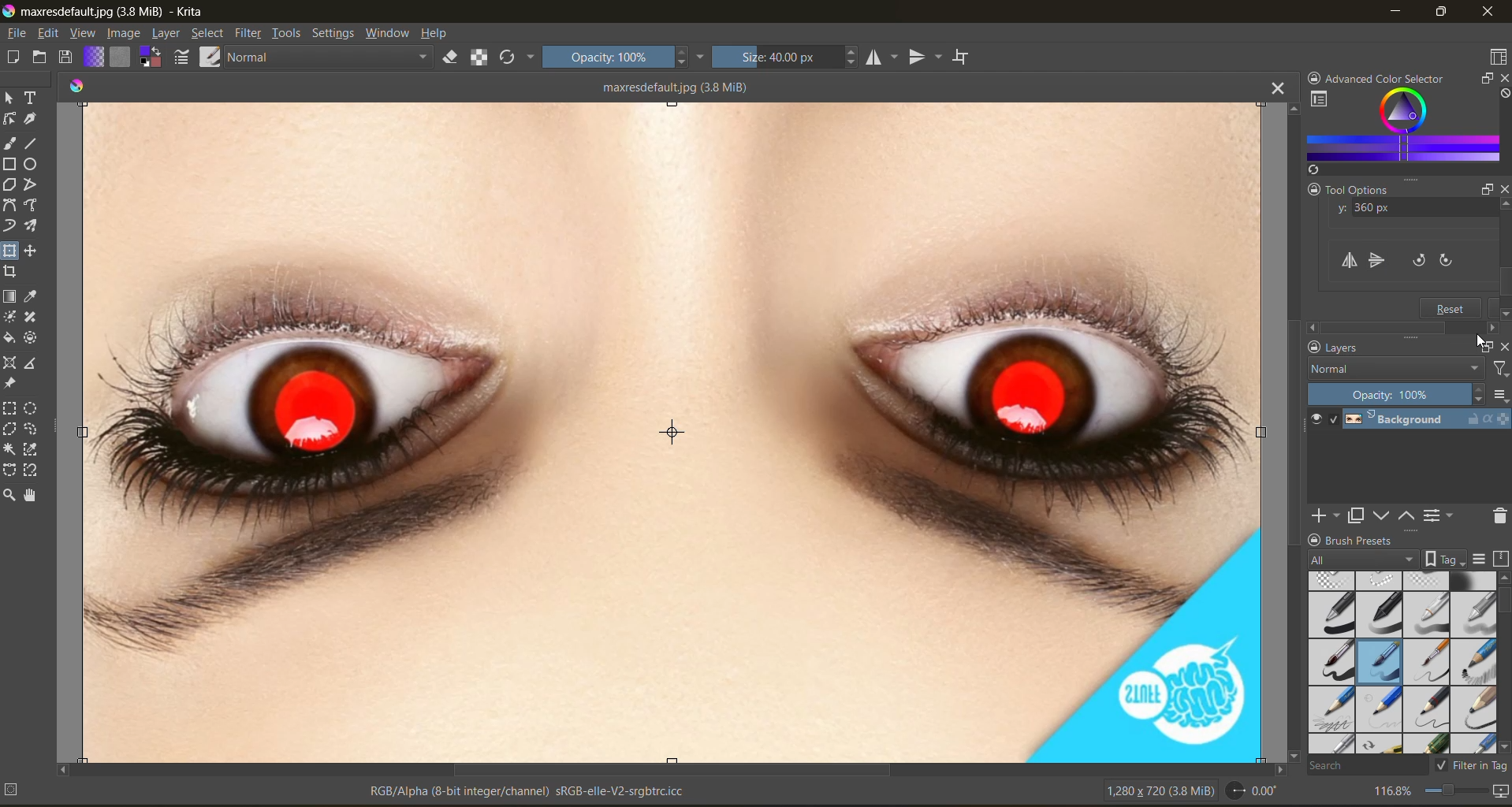  Describe the element at coordinates (348, 793) in the screenshot. I see `metadata` at that location.